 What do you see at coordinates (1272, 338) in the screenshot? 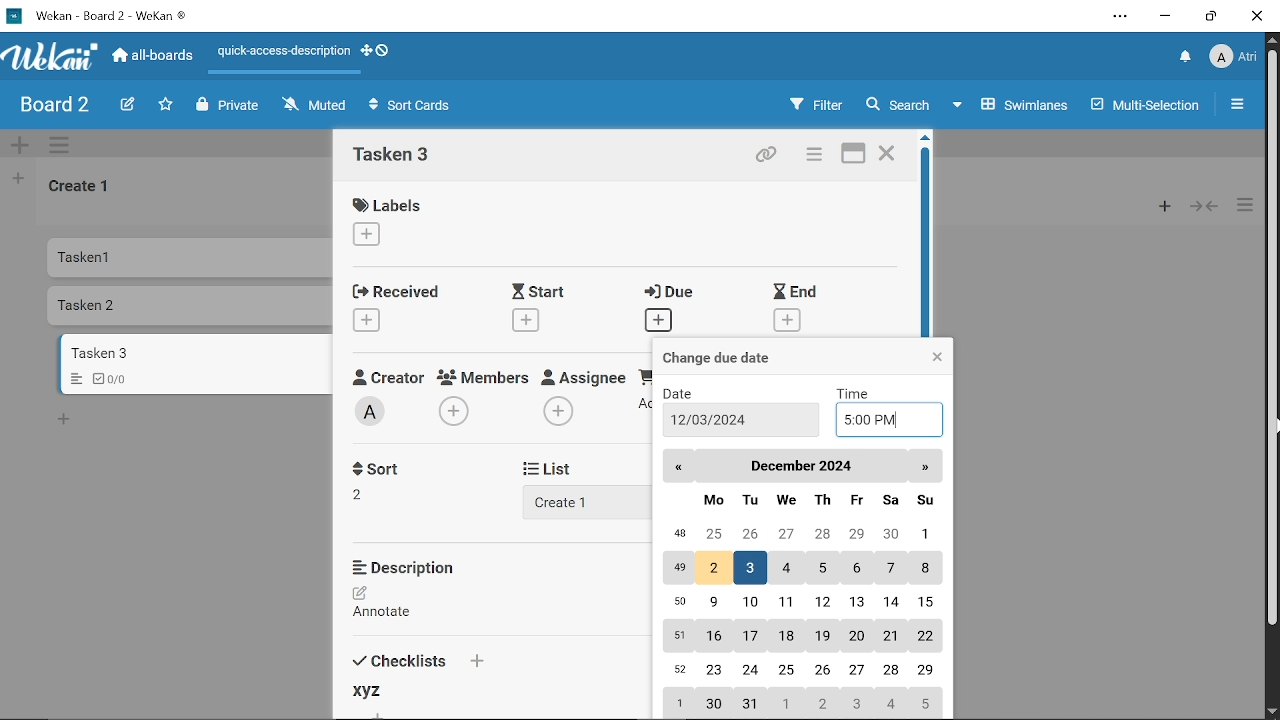
I see `Vertical scrollbar` at bounding box center [1272, 338].